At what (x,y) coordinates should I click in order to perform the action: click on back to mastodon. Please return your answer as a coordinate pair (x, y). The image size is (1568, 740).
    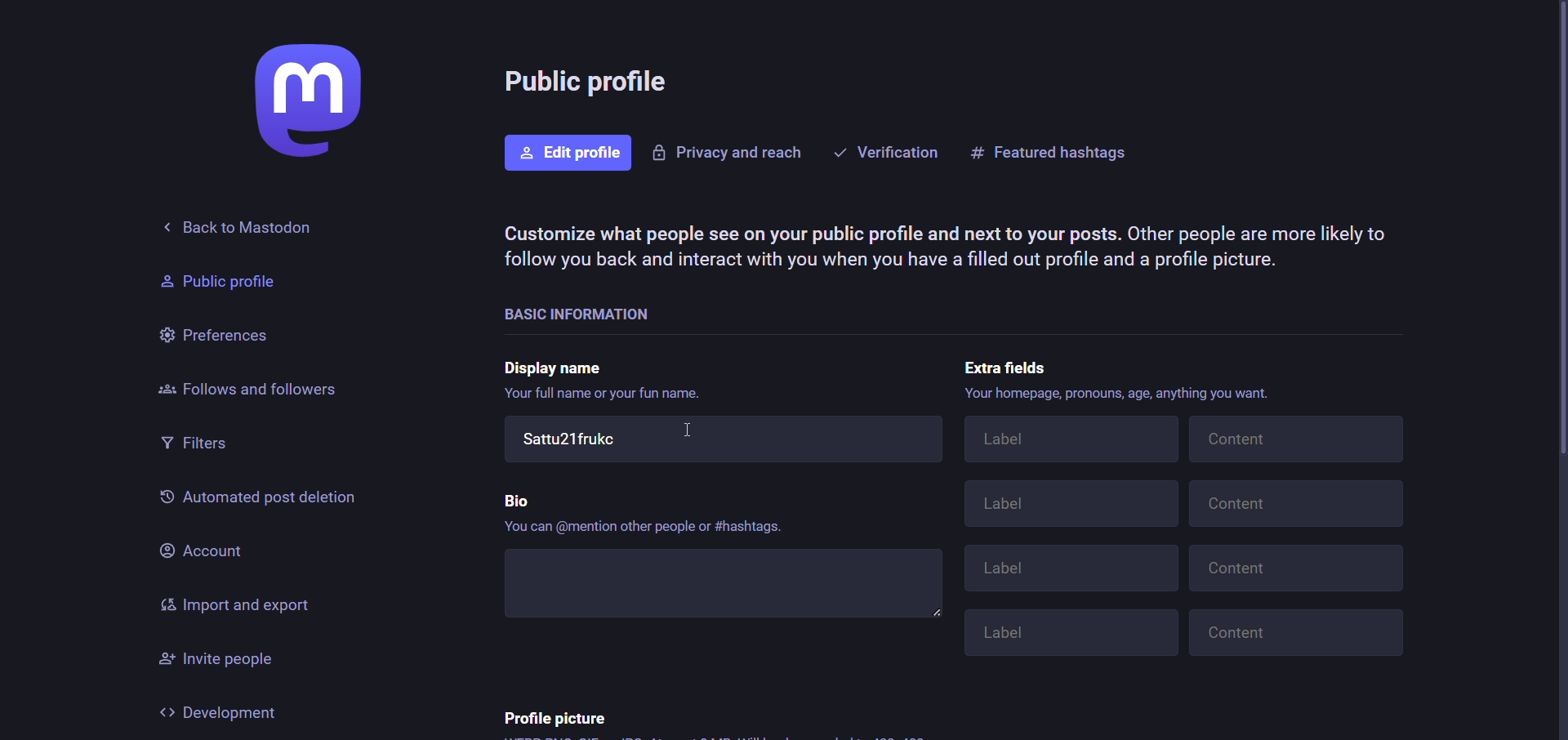
    Looking at the image, I should click on (253, 225).